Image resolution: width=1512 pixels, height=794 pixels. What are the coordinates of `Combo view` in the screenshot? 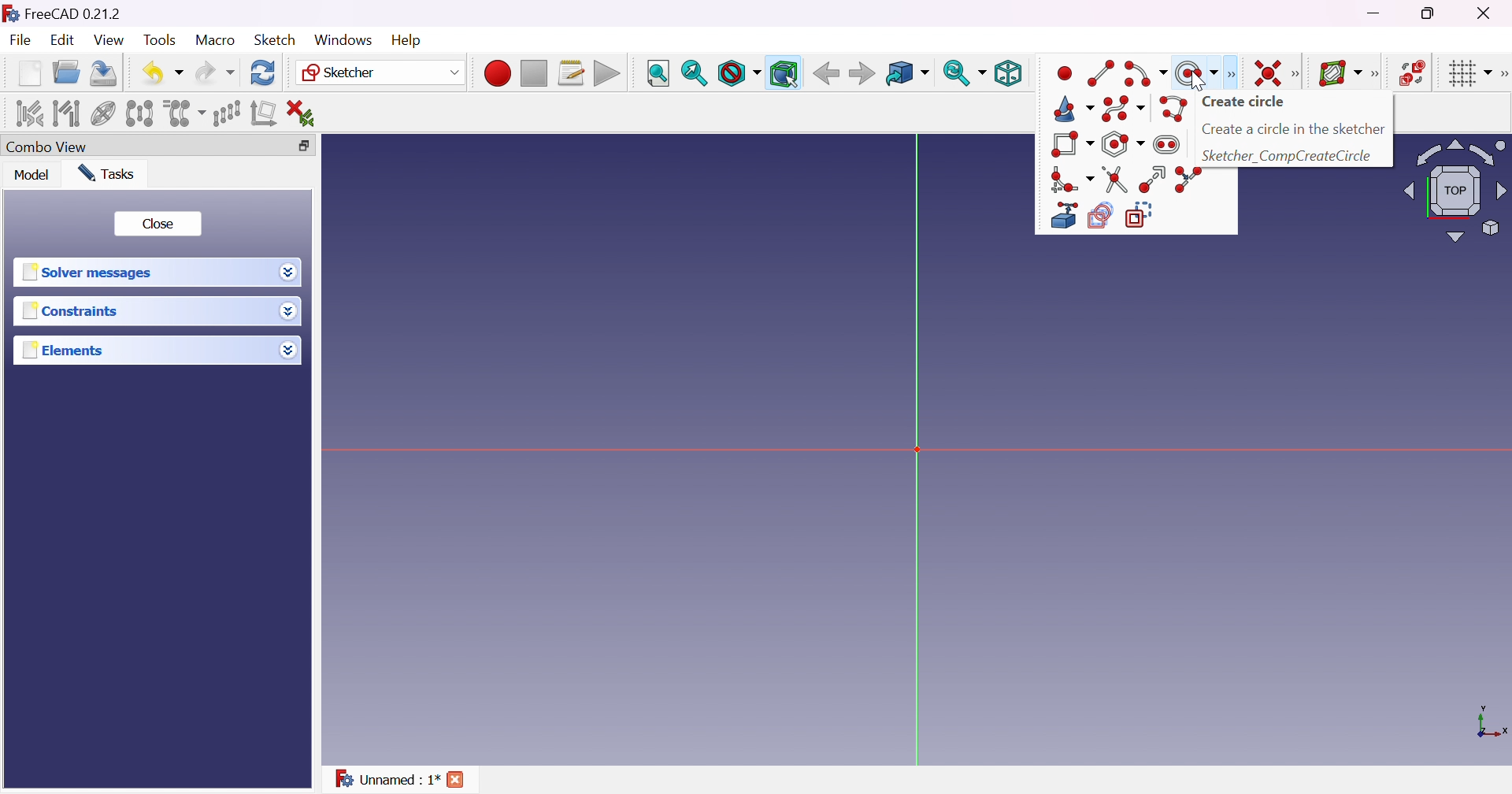 It's located at (48, 145).